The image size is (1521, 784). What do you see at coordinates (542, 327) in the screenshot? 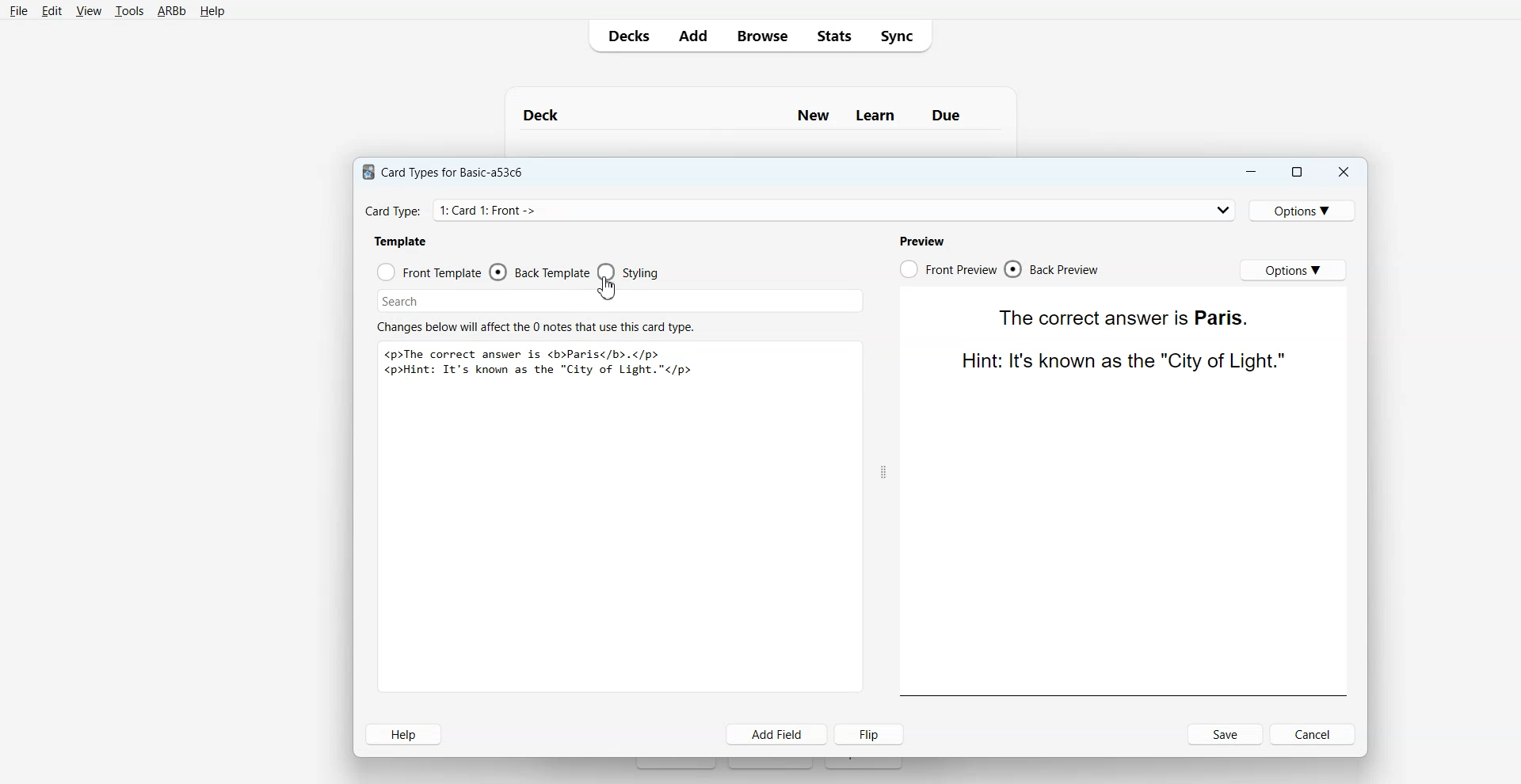
I see `Changes below will affect the 0 notes that use this card type` at bounding box center [542, 327].